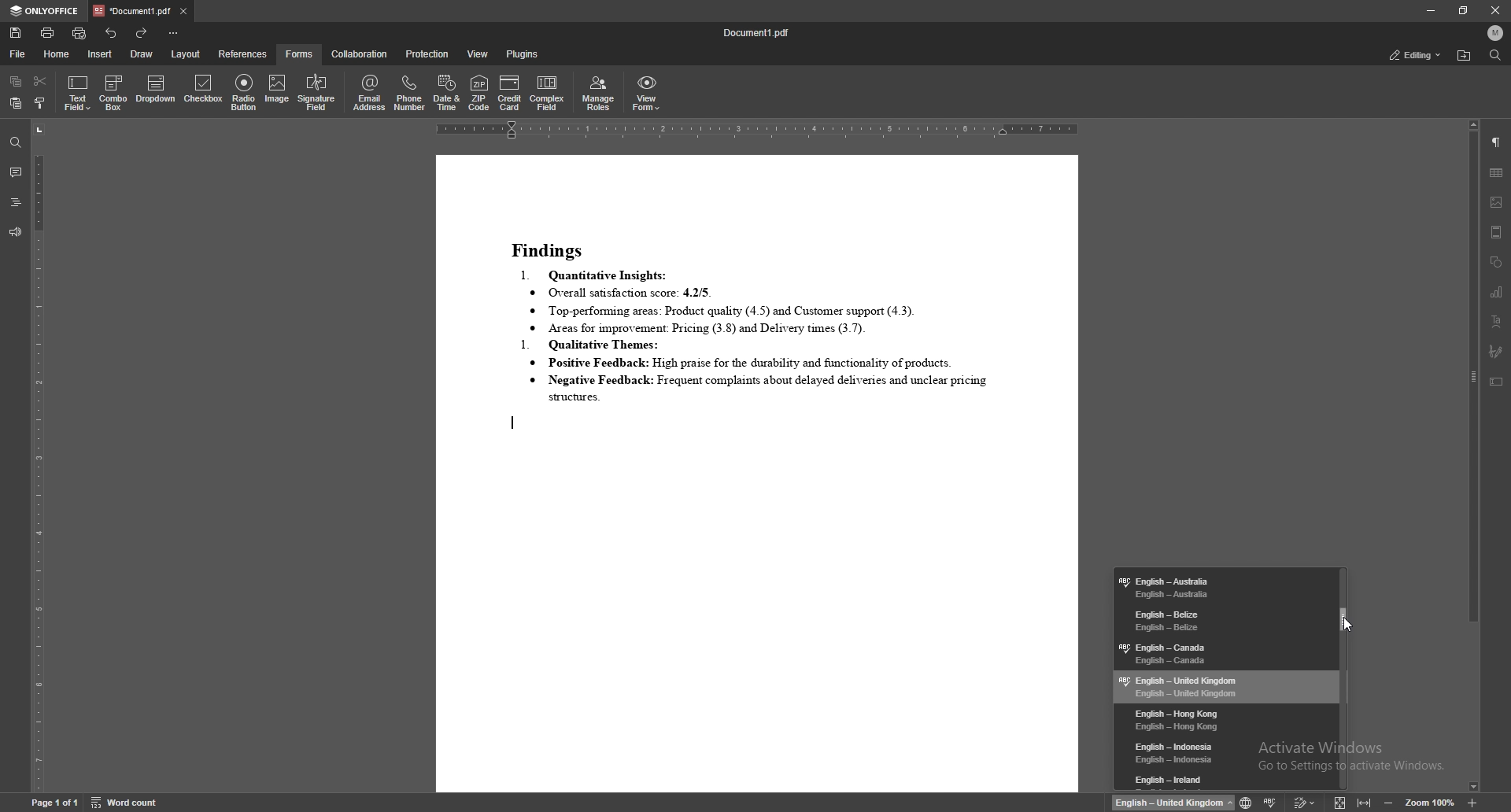 The image size is (1511, 812). Describe the element at coordinates (300, 54) in the screenshot. I see `forms` at that location.